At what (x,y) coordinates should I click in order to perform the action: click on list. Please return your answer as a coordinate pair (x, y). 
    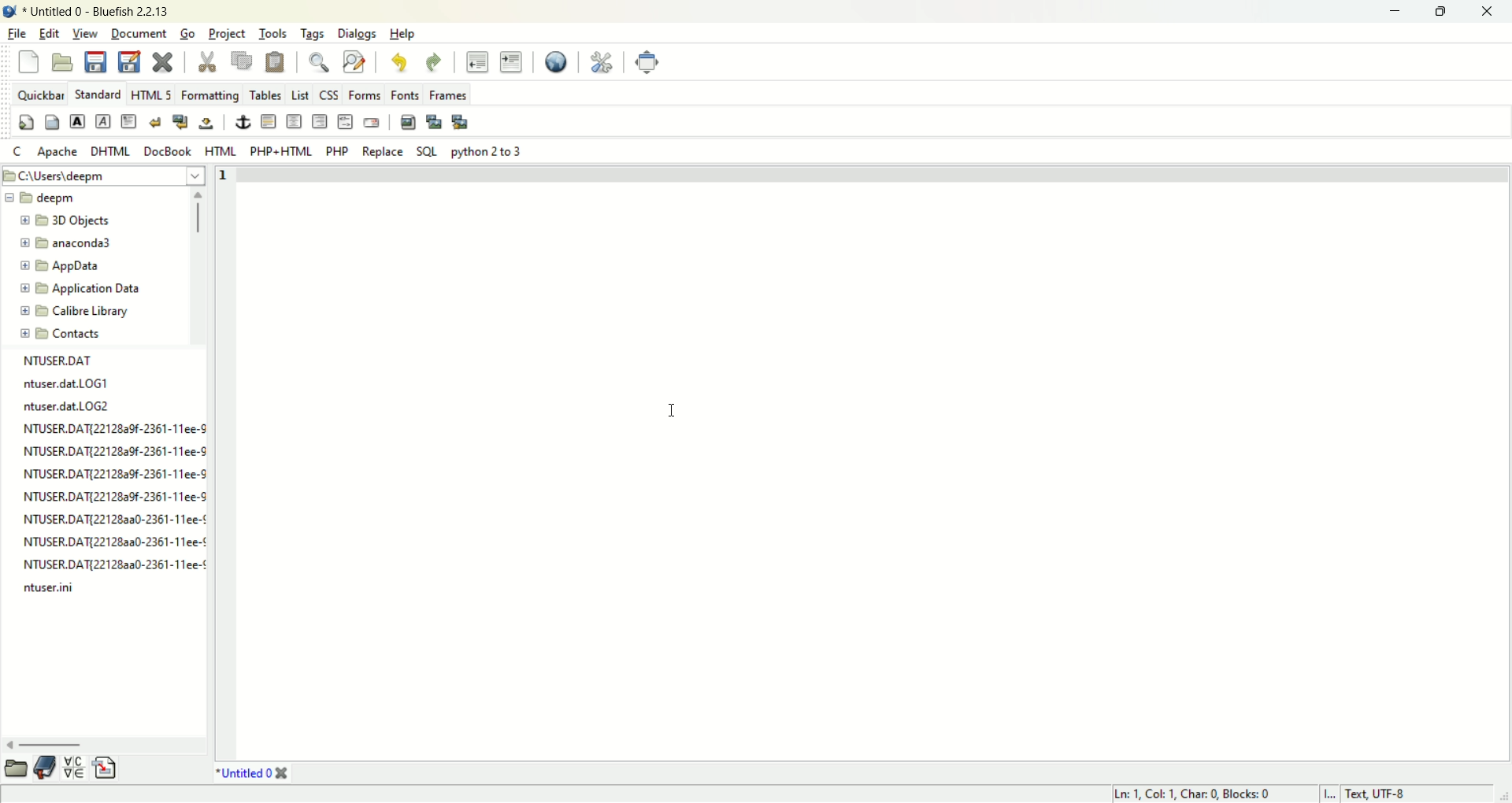
    Looking at the image, I should click on (300, 94).